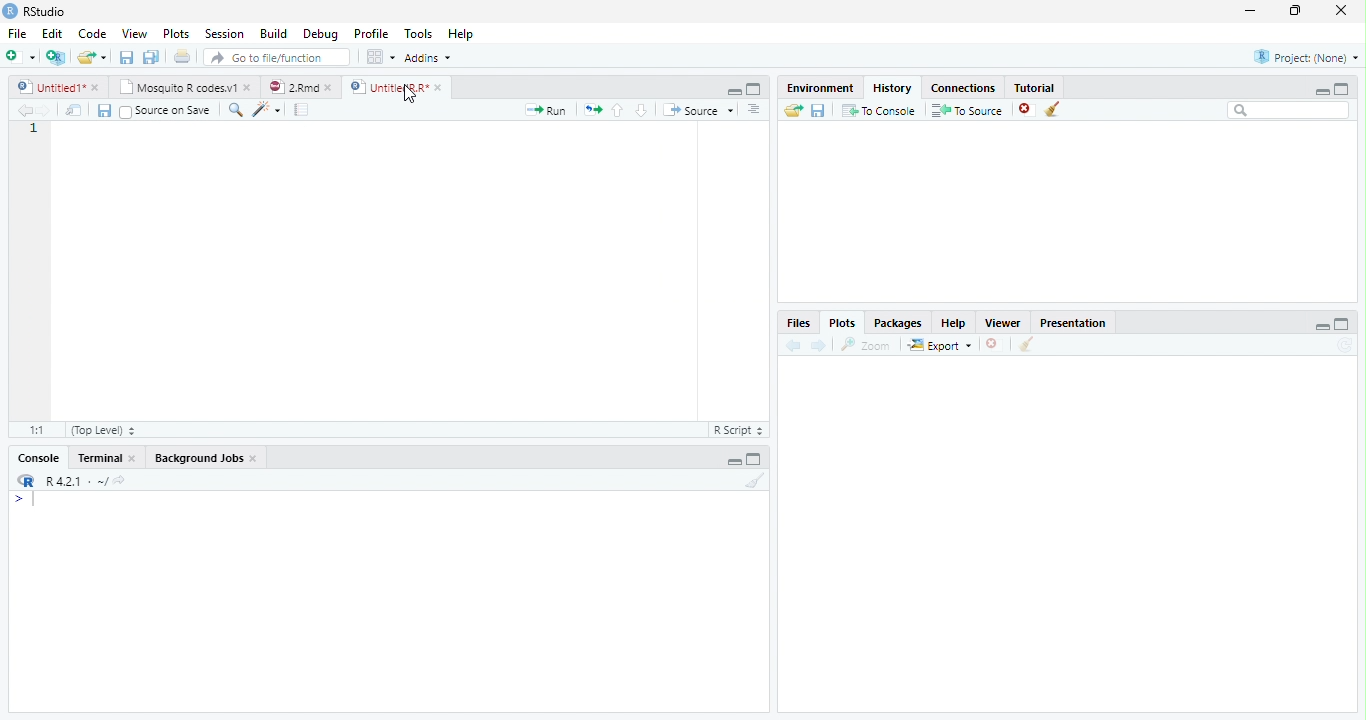 The image size is (1366, 720). I want to click on 2.Rmd, so click(292, 87).